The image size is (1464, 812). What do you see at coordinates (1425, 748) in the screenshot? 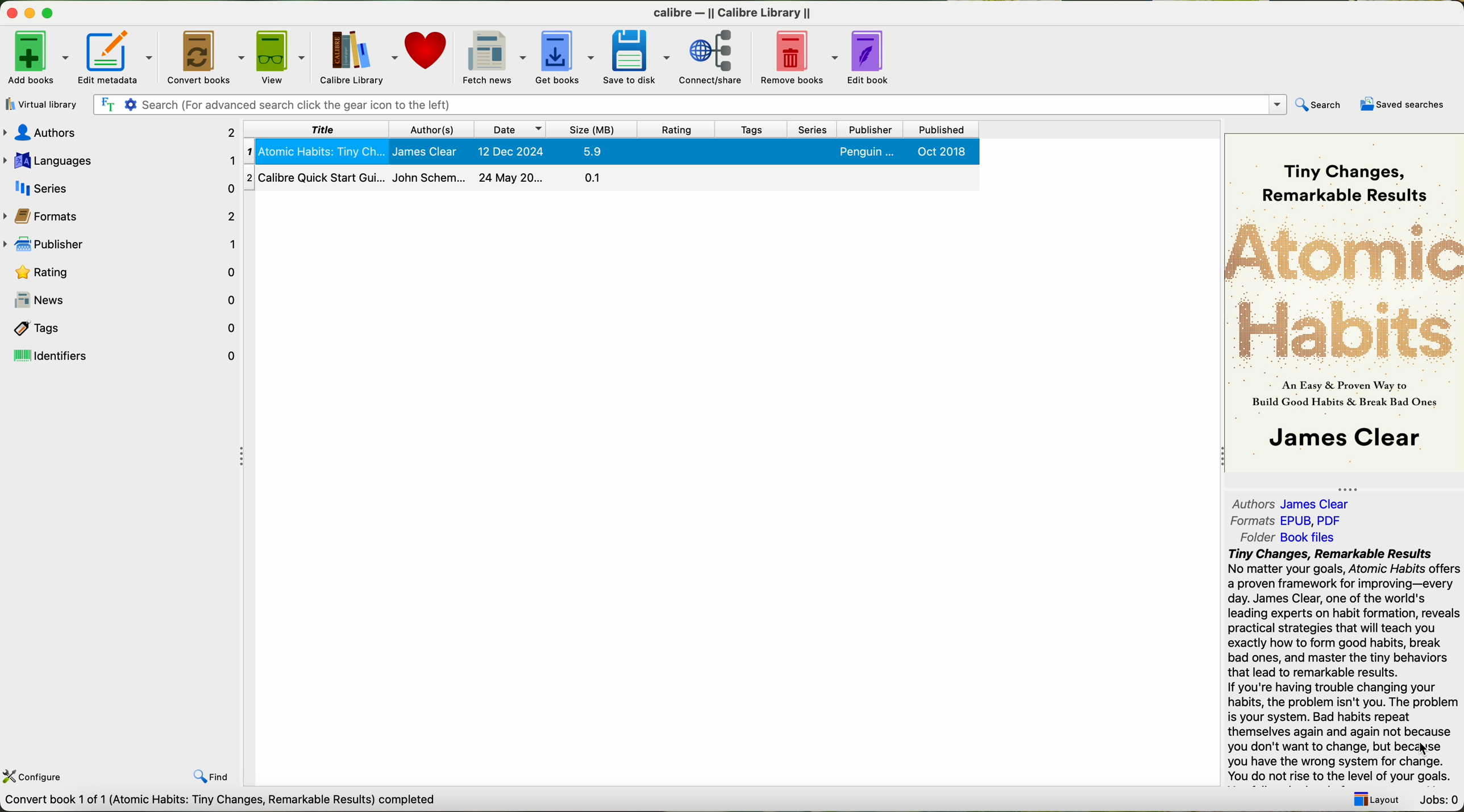
I see `mouse` at bounding box center [1425, 748].